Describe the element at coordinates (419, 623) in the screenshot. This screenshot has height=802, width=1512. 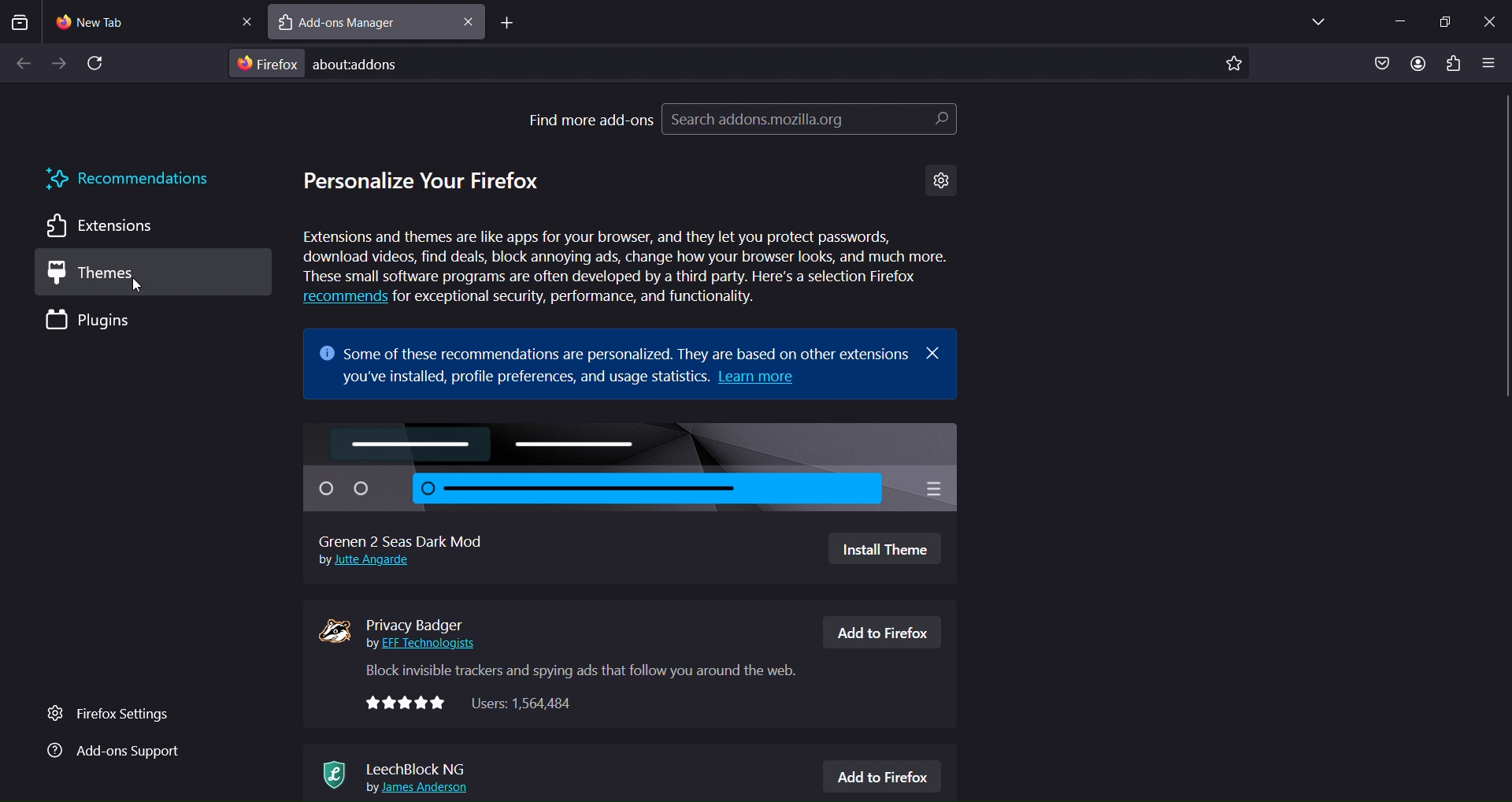
I see `privacy badger` at that location.